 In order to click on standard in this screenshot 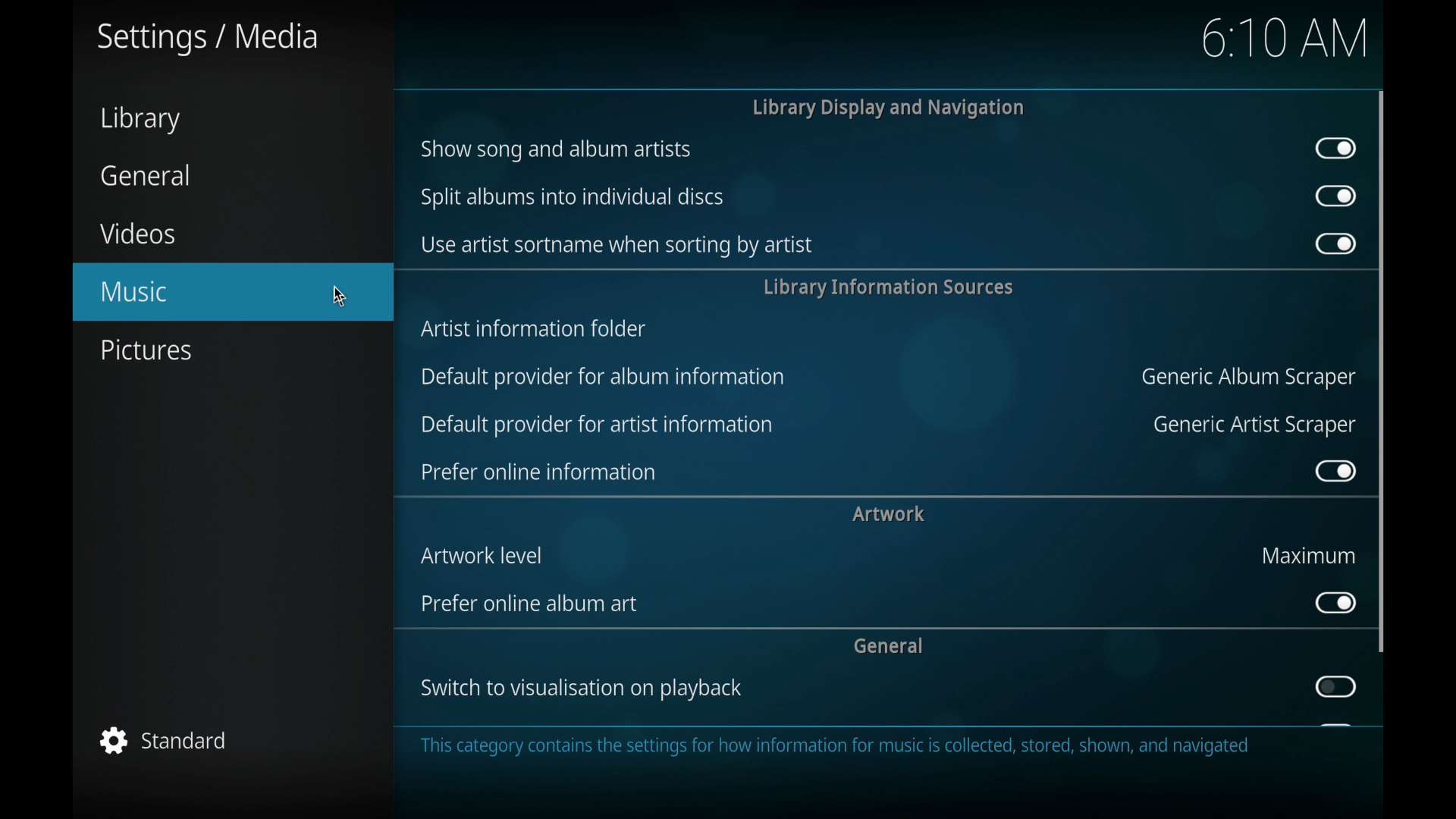, I will do `click(165, 740)`.